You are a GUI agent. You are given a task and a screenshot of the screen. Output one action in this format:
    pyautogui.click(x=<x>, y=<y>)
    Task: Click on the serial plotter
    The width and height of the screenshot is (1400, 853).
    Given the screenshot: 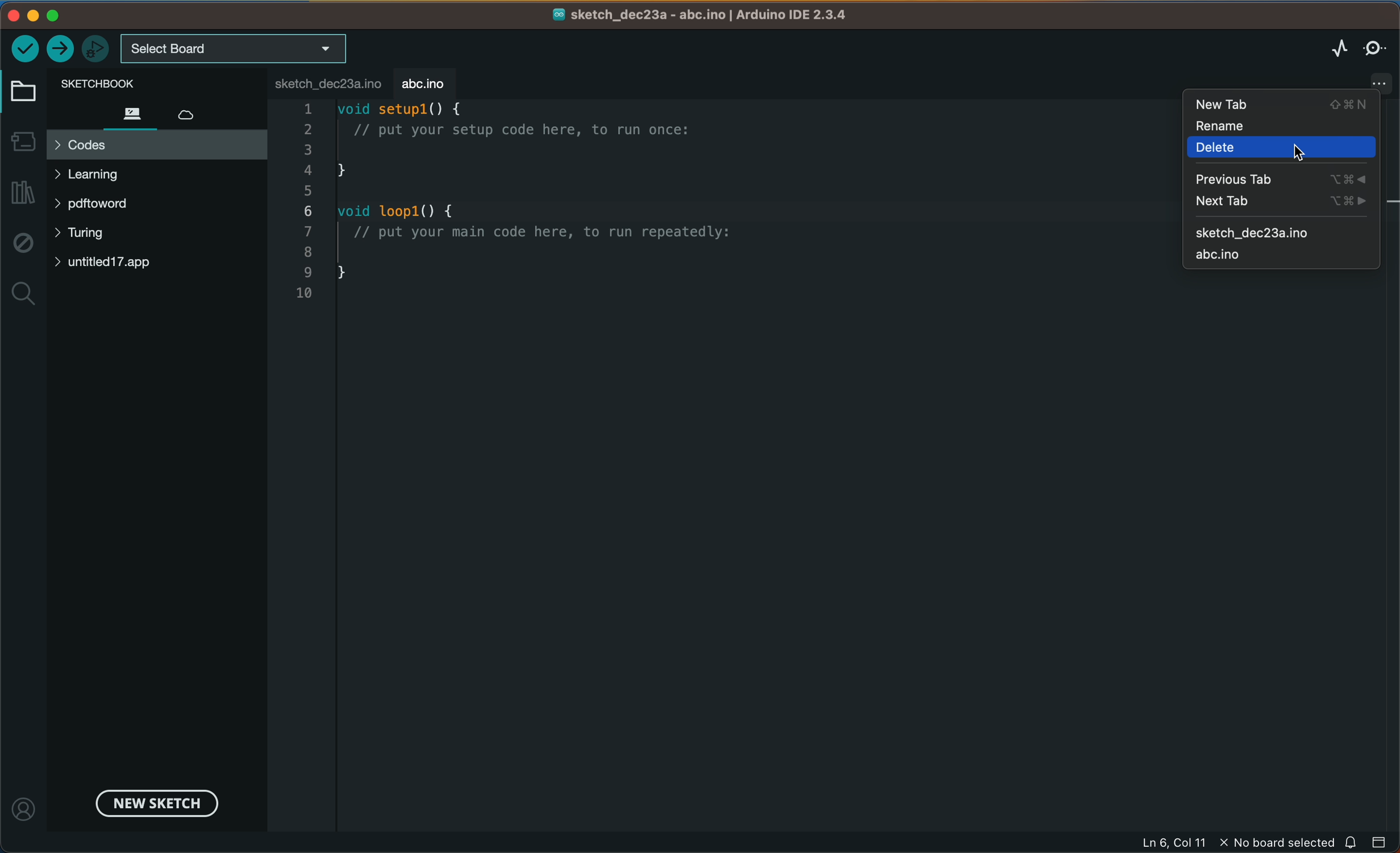 What is the action you would take?
    pyautogui.click(x=1338, y=46)
    